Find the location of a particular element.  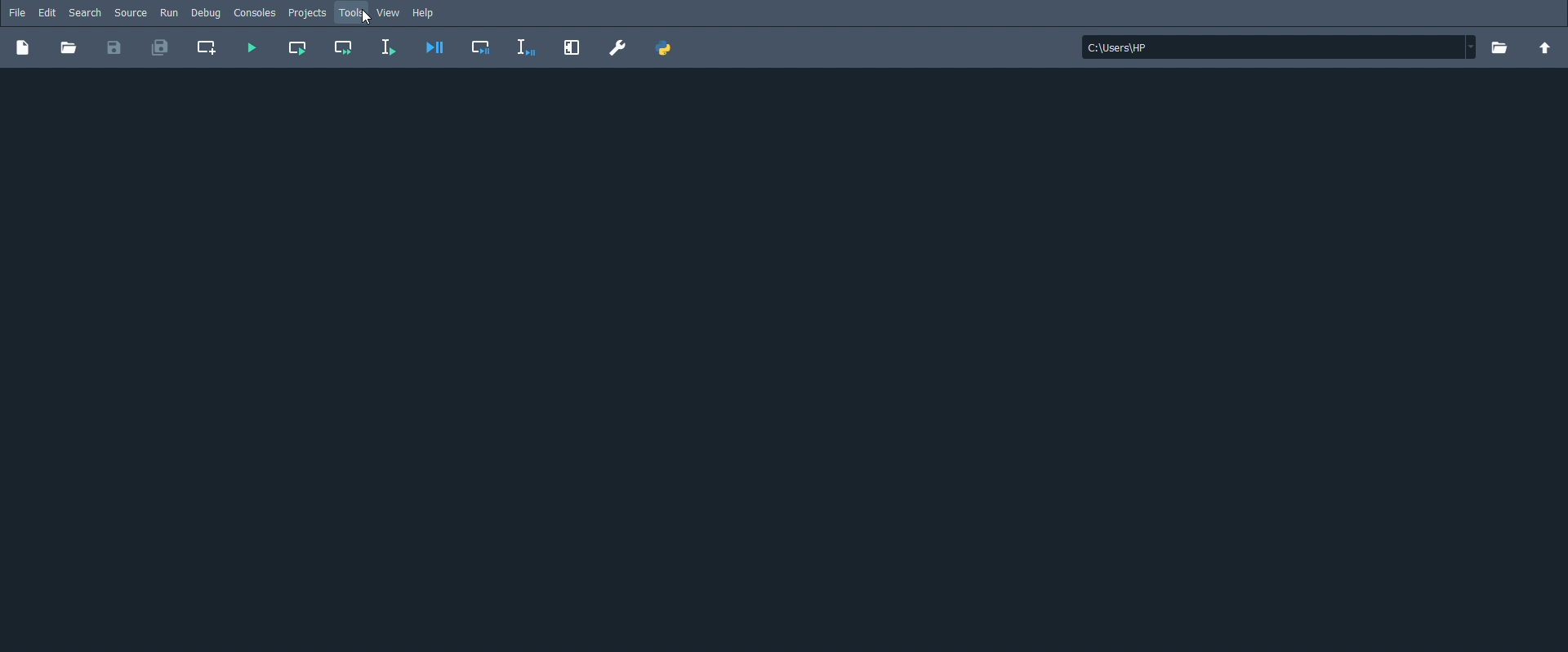

View is located at coordinates (388, 14).